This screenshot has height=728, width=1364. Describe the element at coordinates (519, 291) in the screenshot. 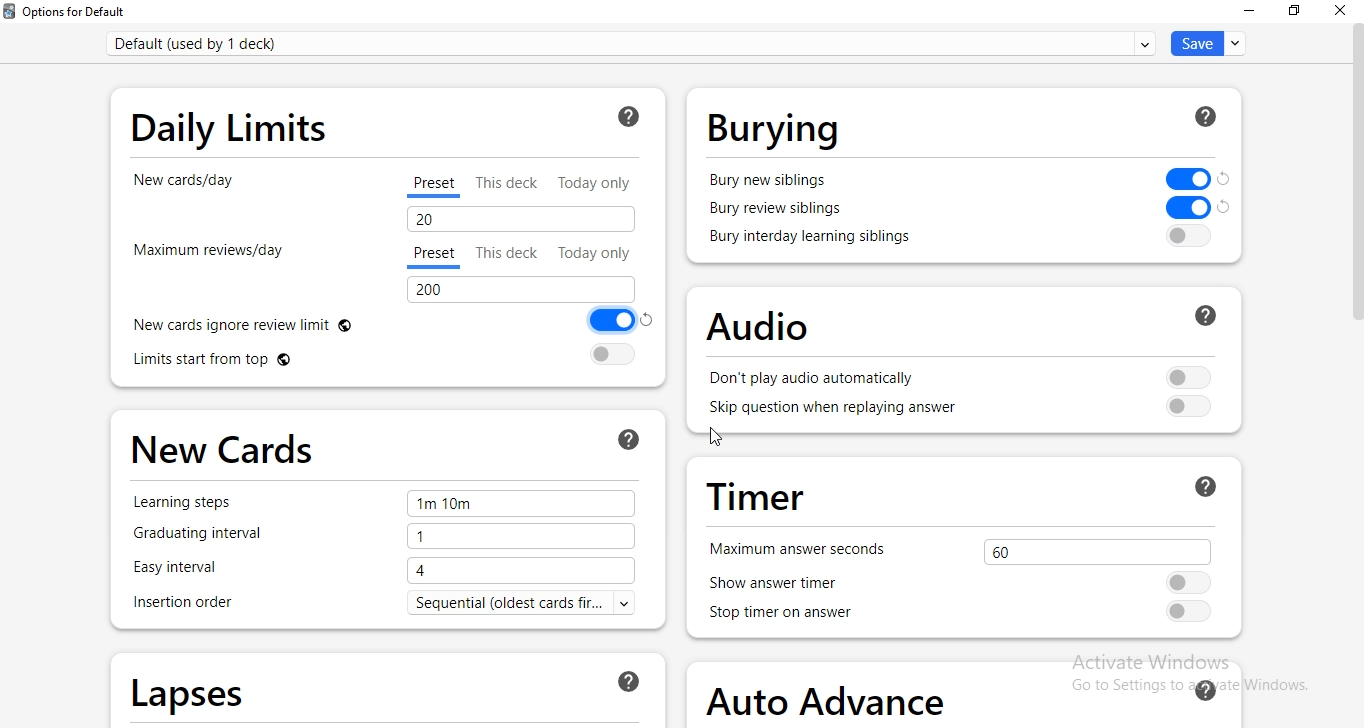

I see `200` at that location.